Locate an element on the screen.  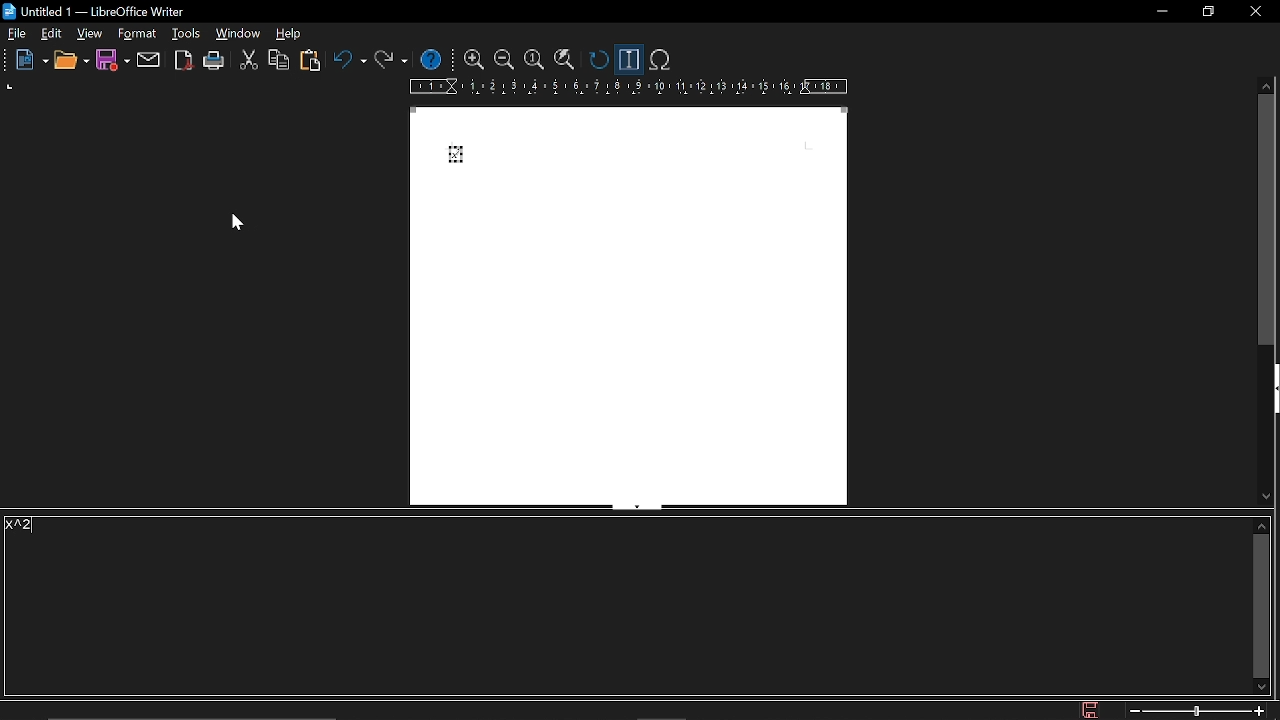
scale is located at coordinates (626, 87).